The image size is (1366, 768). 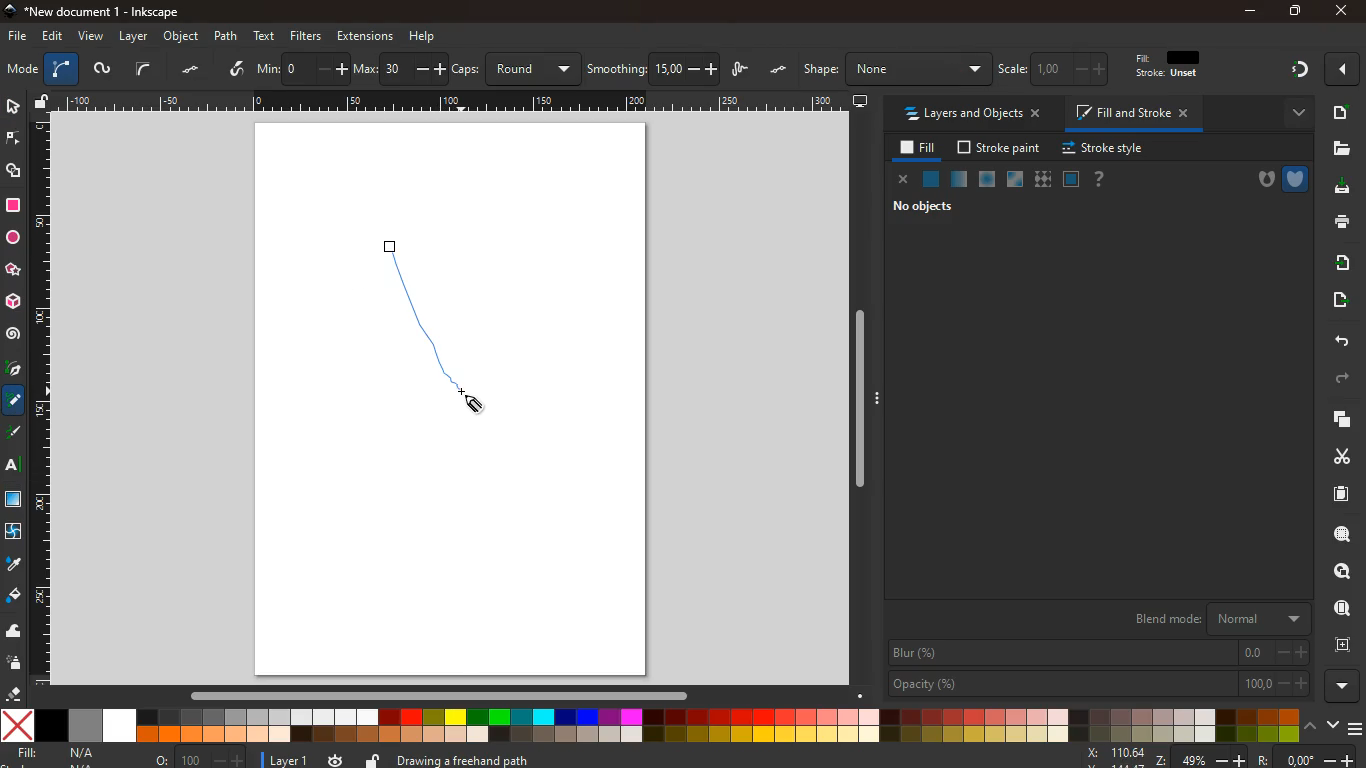 What do you see at coordinates (1343, 686) in the screenshot?
I see `more` at bounding box center [1343, 686].